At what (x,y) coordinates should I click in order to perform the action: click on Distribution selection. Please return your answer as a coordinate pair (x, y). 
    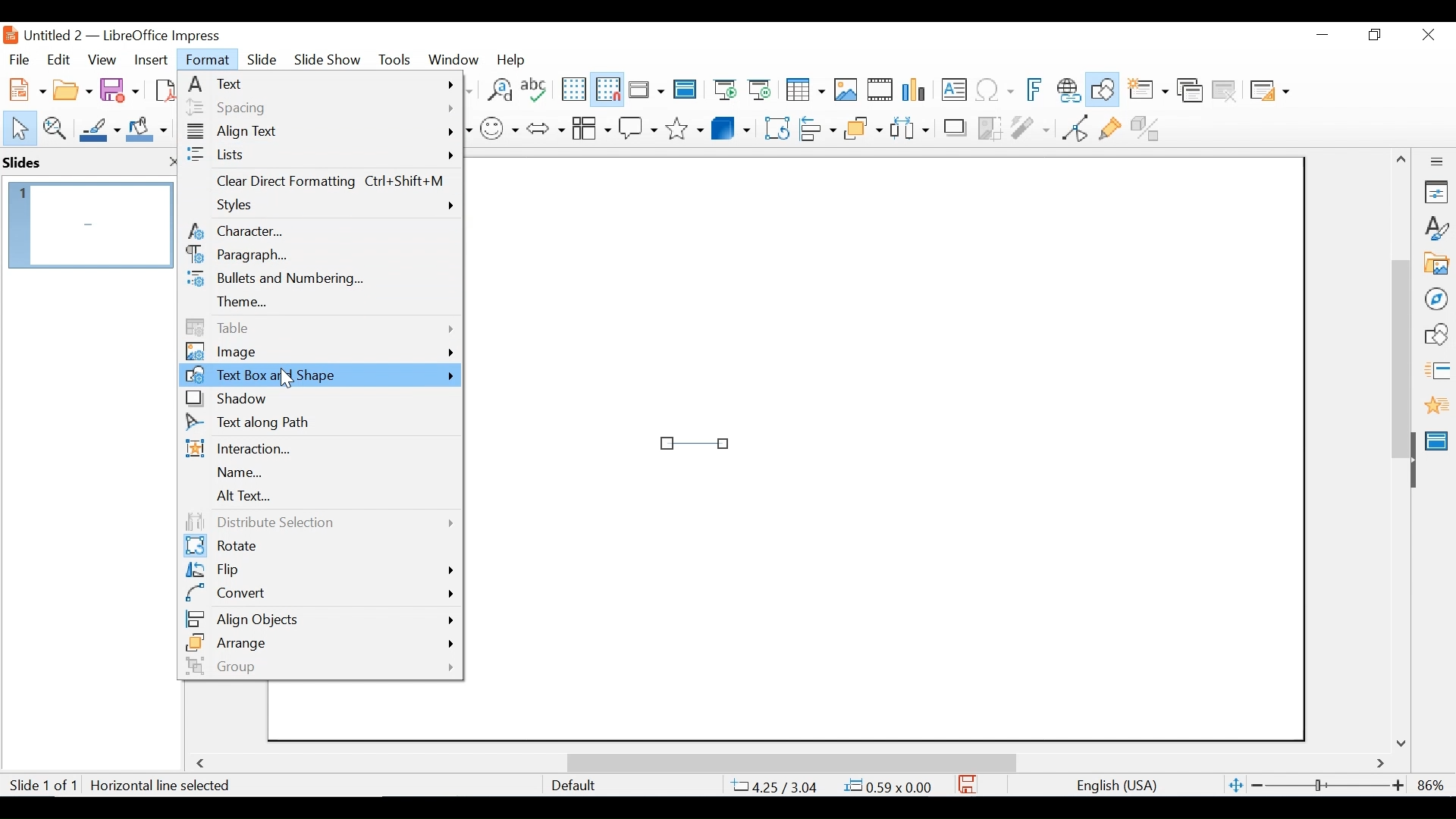
    Looking at the image, I should click on (316, 522).